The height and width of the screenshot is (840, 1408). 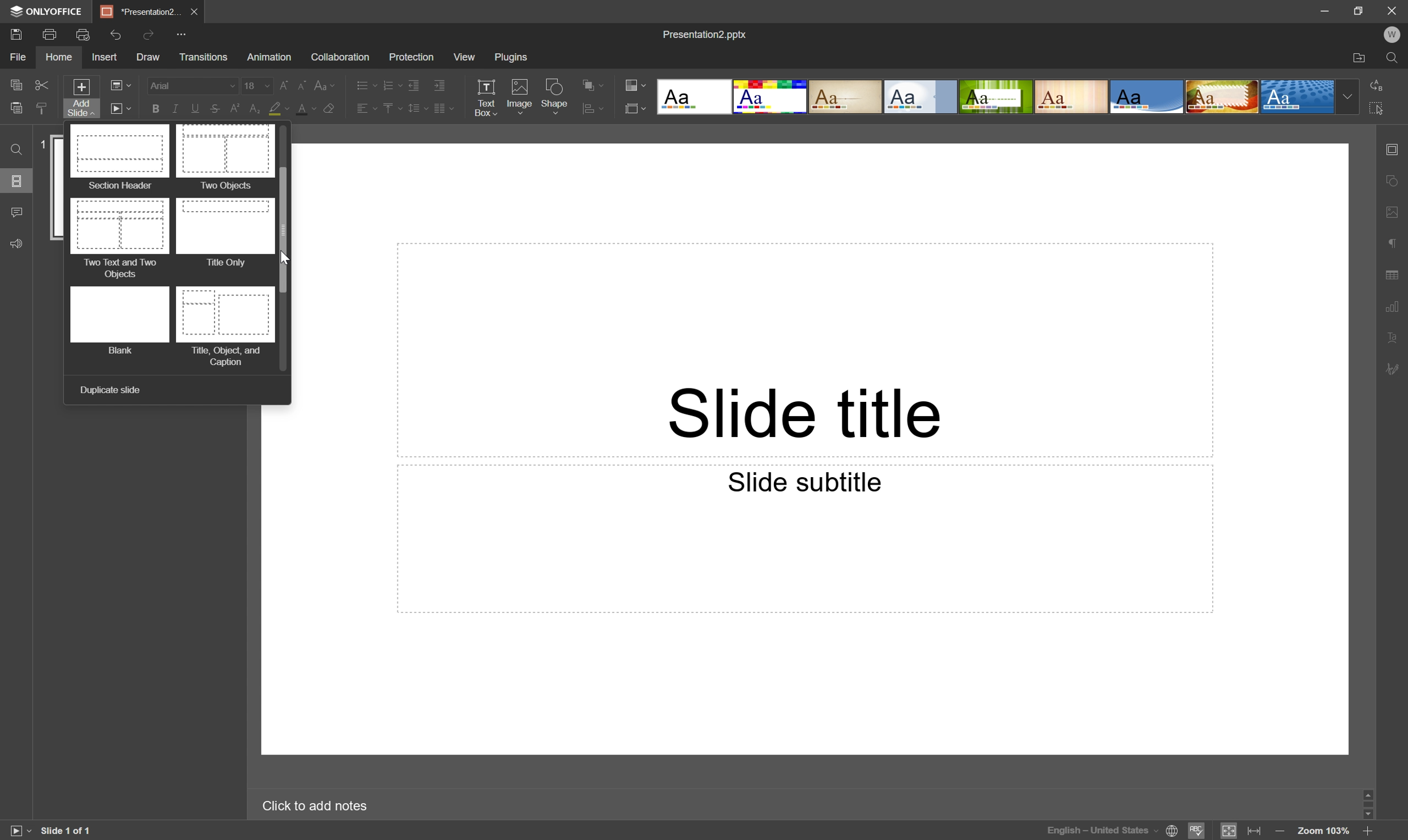 What do you see at coordinates (519, 97) in the screenshot?
I see `Image` at bounding box center [519, 97].